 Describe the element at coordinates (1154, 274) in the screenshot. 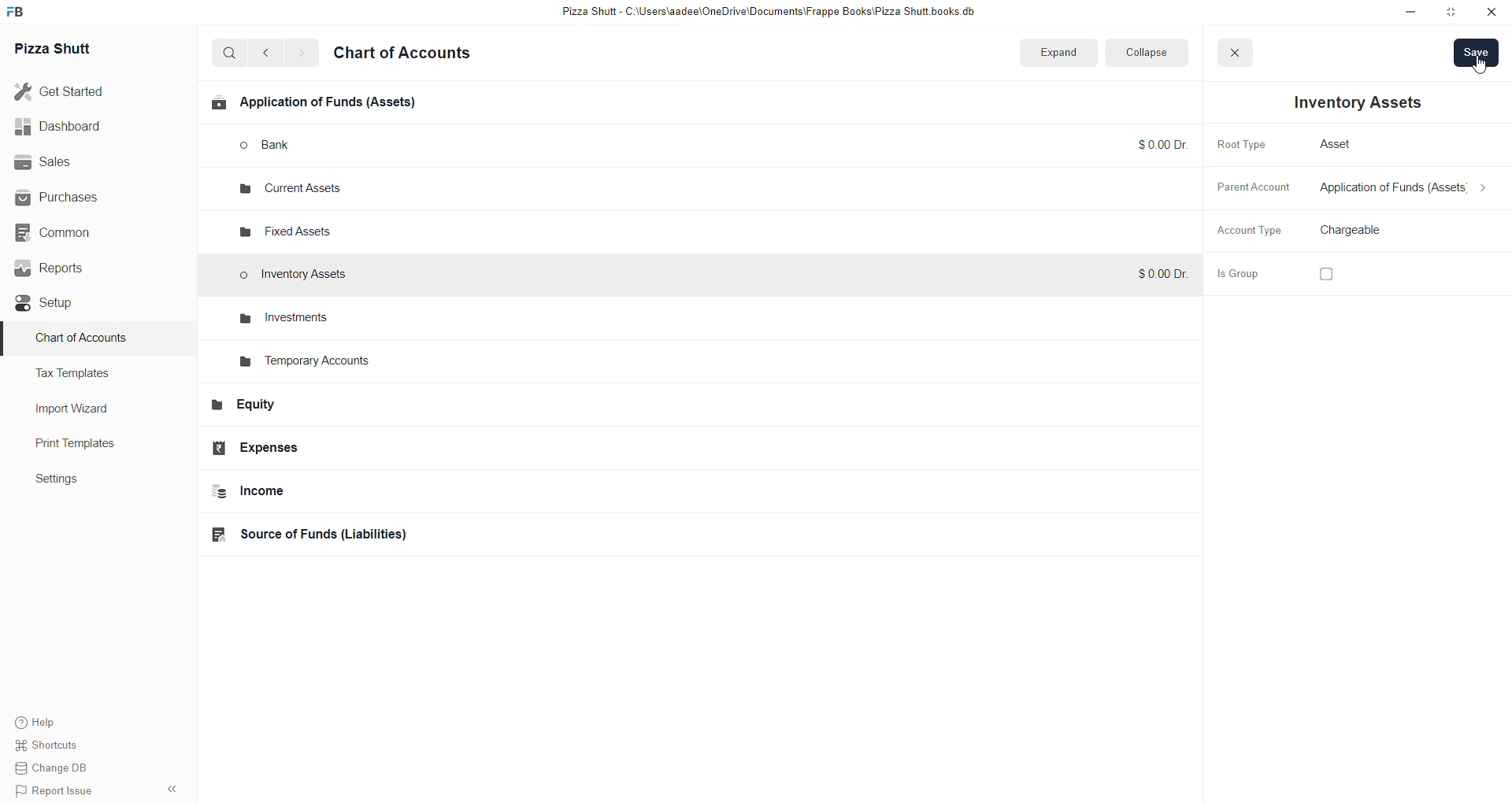

I see `$0.00 Dr.` at that location.